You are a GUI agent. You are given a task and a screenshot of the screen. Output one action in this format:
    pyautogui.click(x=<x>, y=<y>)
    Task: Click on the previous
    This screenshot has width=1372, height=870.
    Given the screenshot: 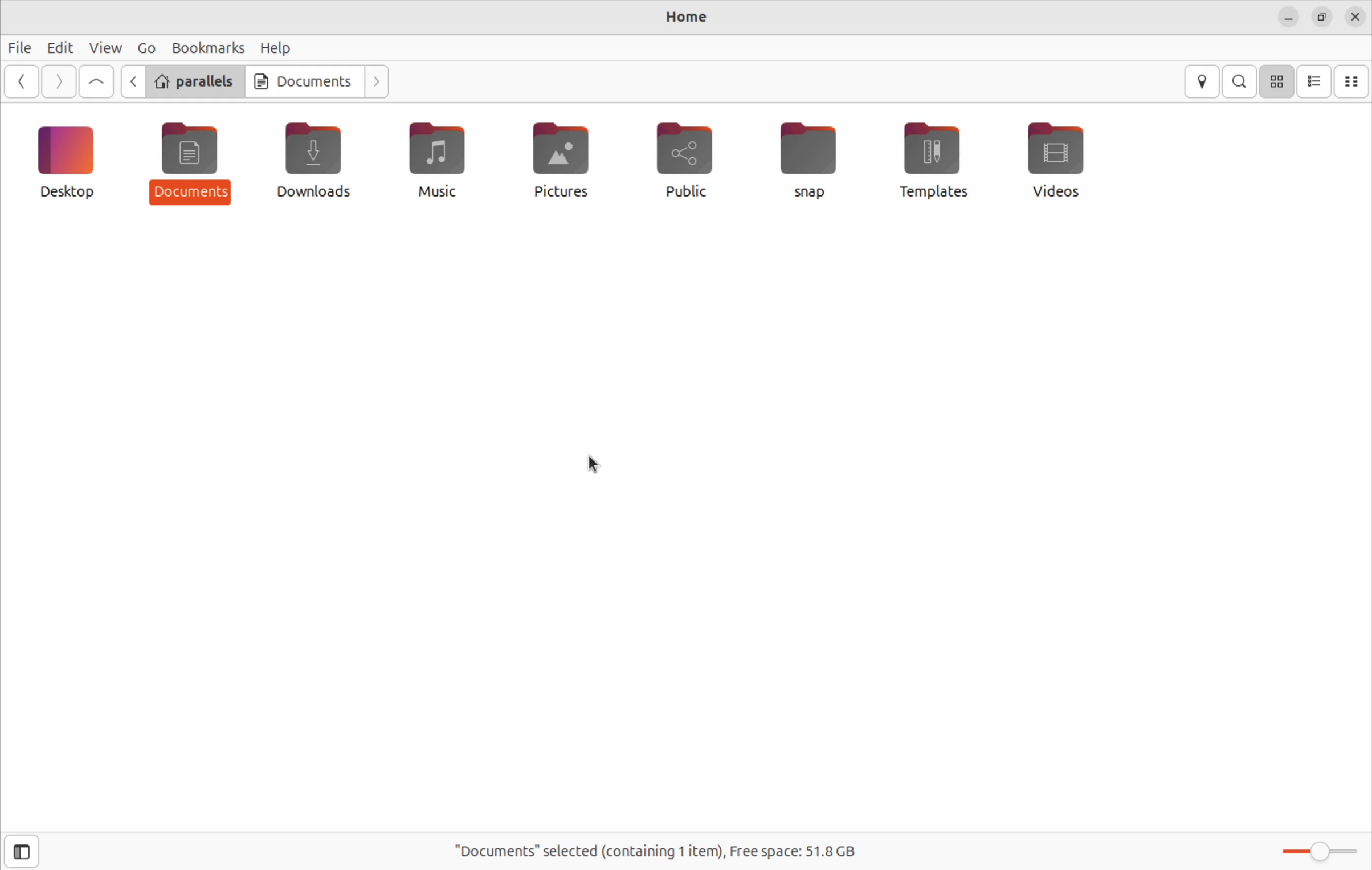 What is the action you would take?
    pyautogui.click(x=132, y=83)
    